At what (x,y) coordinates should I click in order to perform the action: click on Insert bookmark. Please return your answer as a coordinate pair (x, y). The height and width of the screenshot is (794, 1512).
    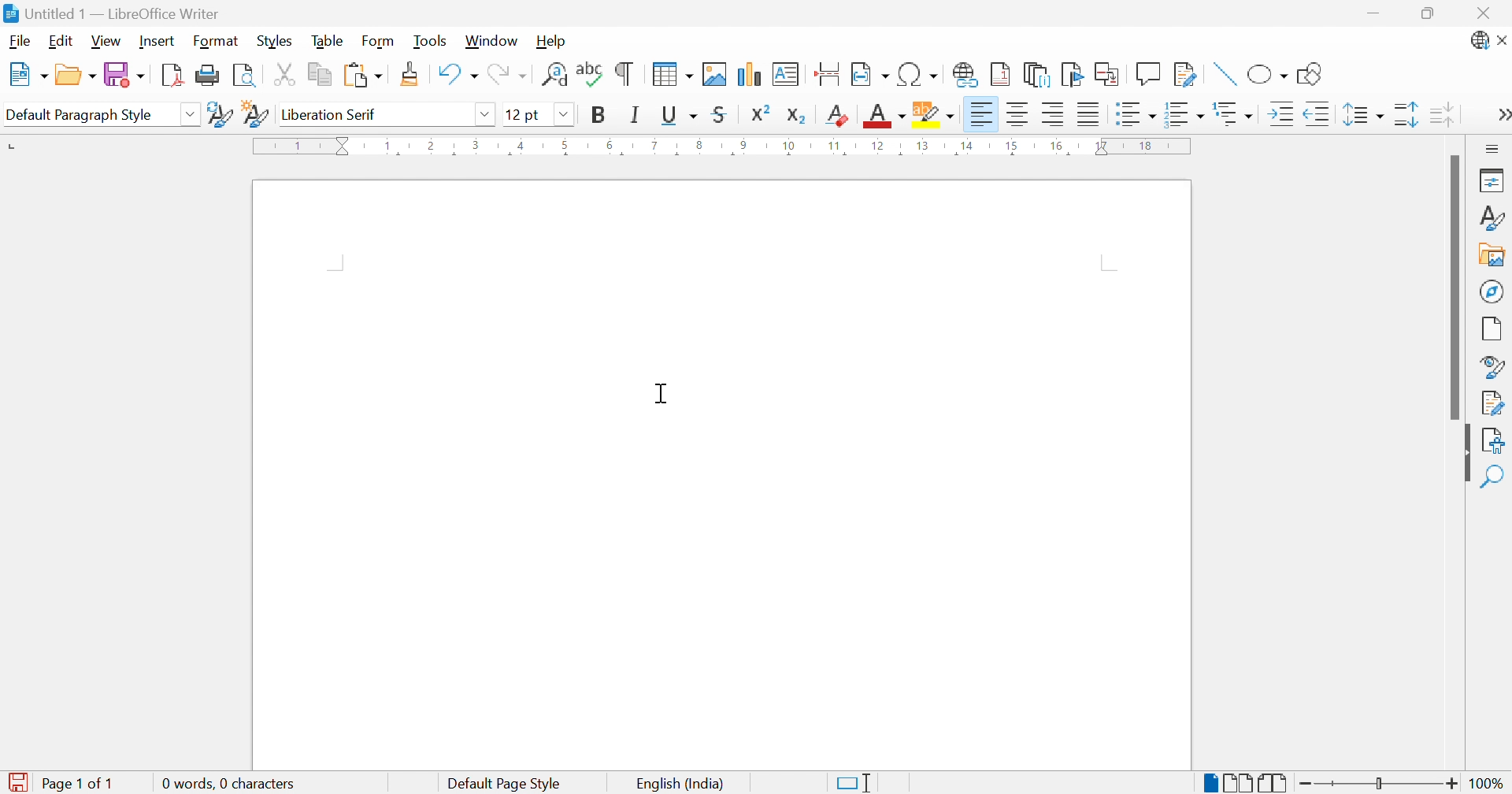
    Looking at the image, I should click on (1073, 74).